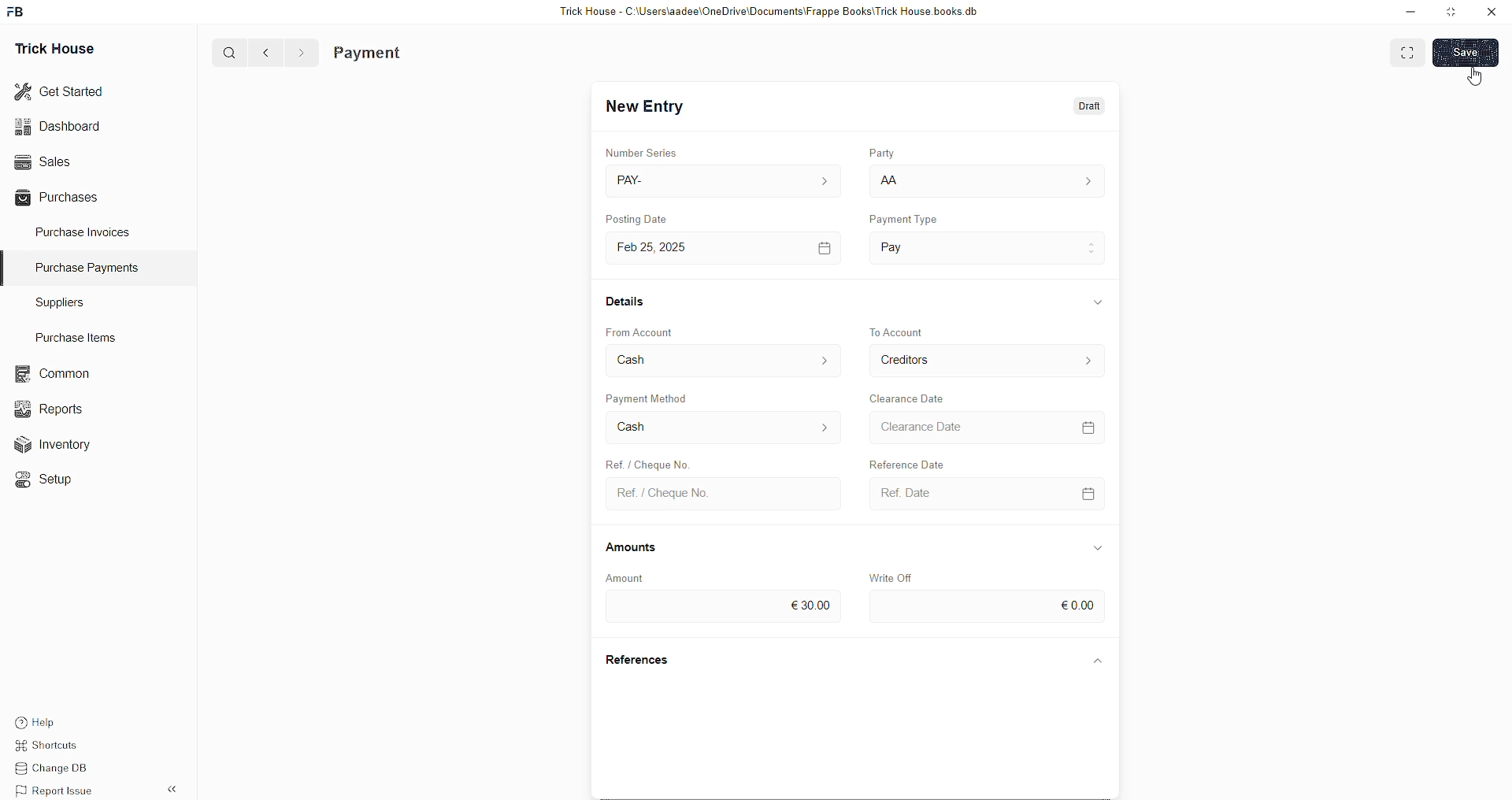  Describe the element at coordinates (1091, 107) in the screenshot. I see `Draft` at that location.